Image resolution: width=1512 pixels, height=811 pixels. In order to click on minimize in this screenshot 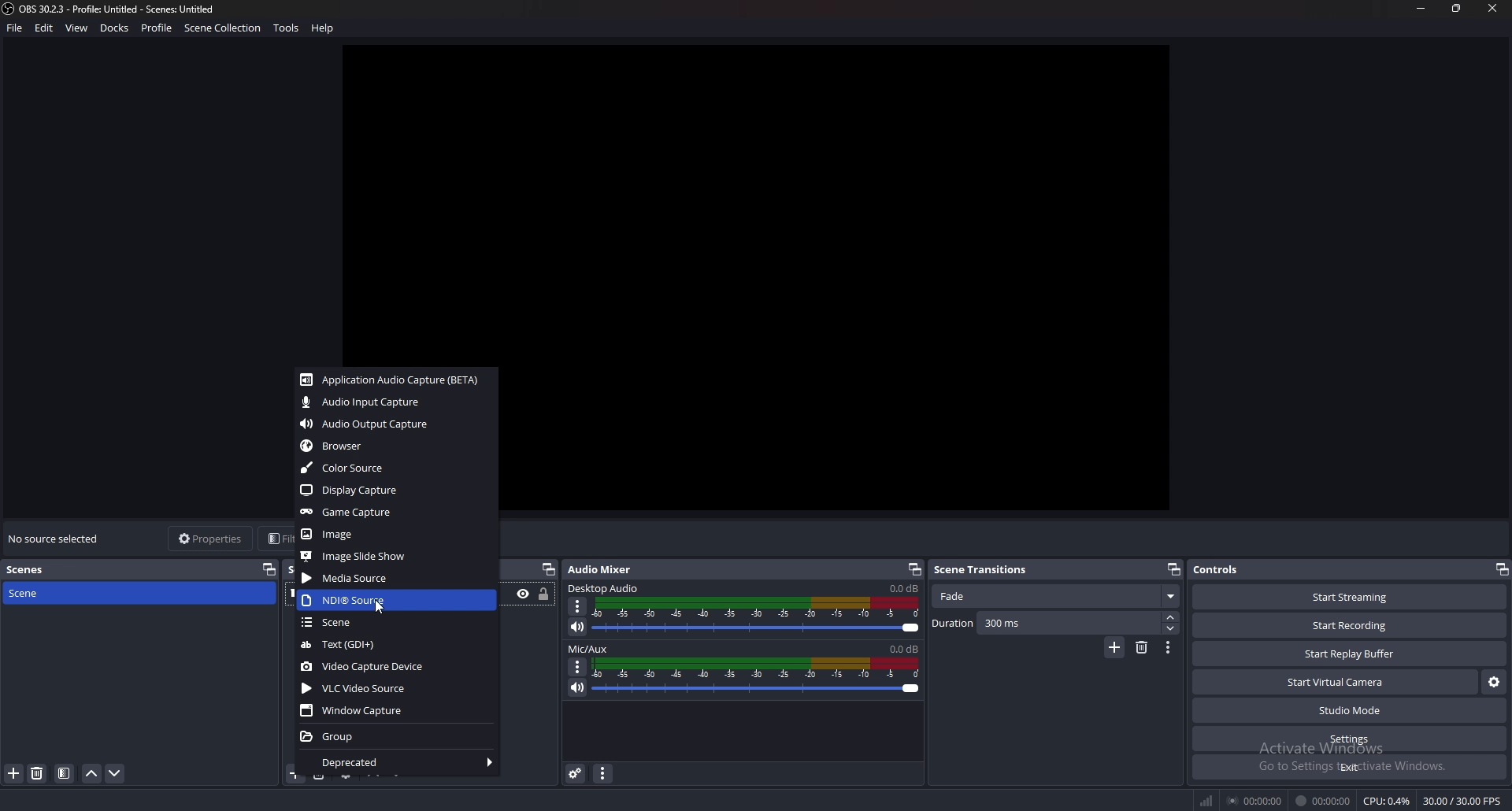, I will do `click(1422, 9)`.